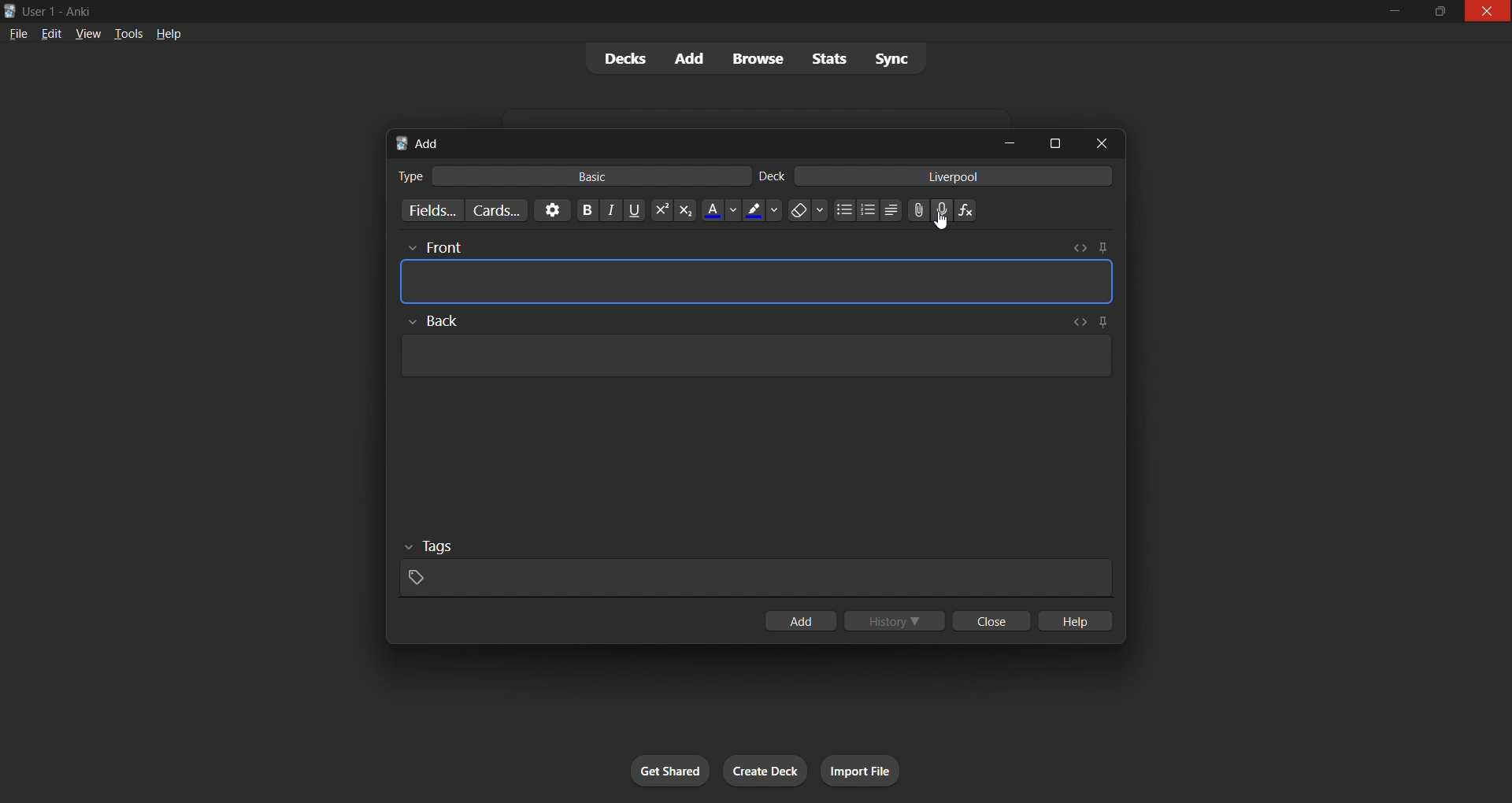 This screenshot has height=803, width=1512. I want to click on equation, so click(970, 211).